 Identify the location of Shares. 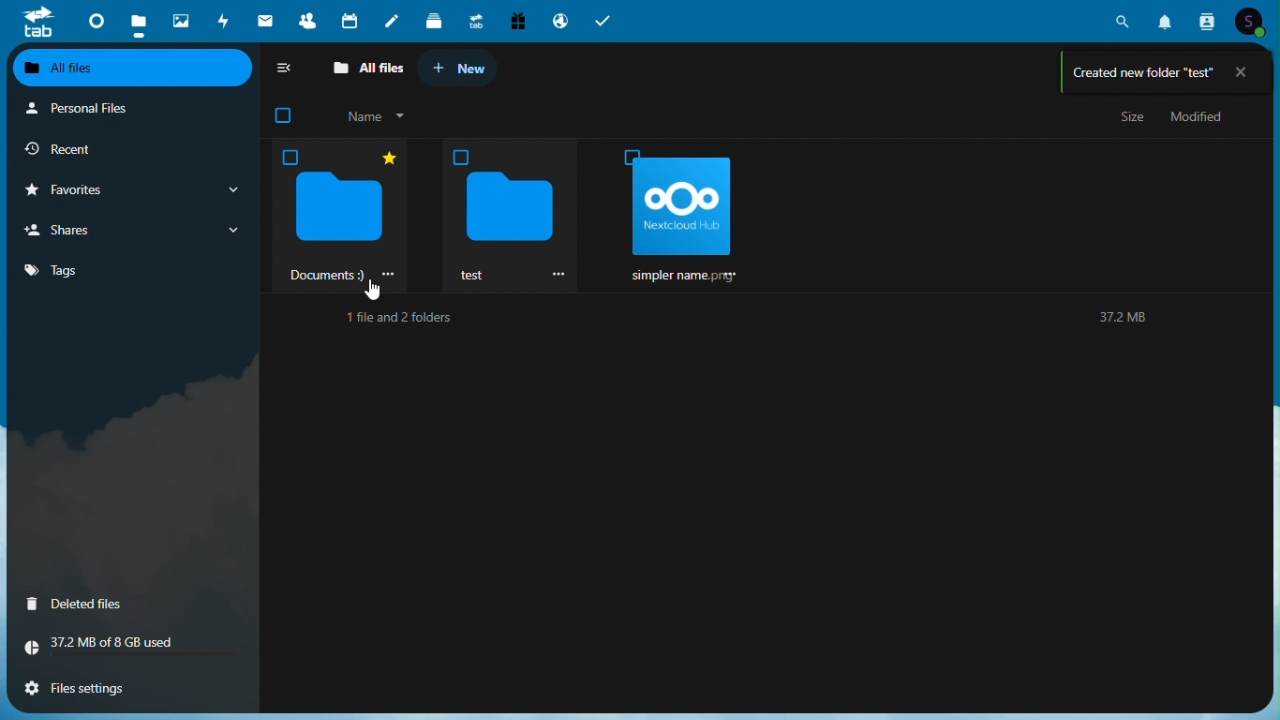
(128, 230).